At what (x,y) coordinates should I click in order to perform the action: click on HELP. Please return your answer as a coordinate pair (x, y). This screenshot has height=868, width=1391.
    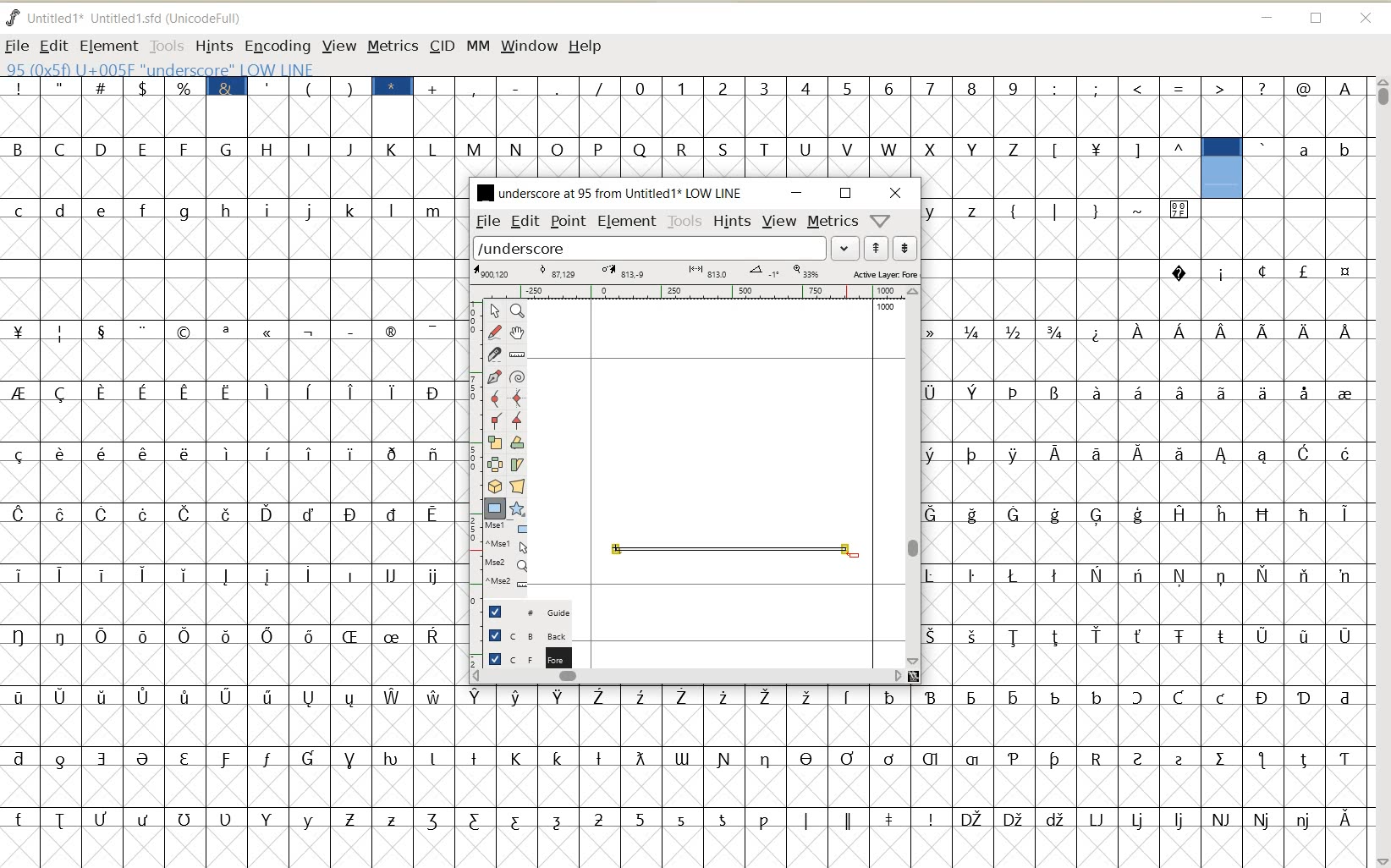
    Looking at the image, I should click on (587, 47).